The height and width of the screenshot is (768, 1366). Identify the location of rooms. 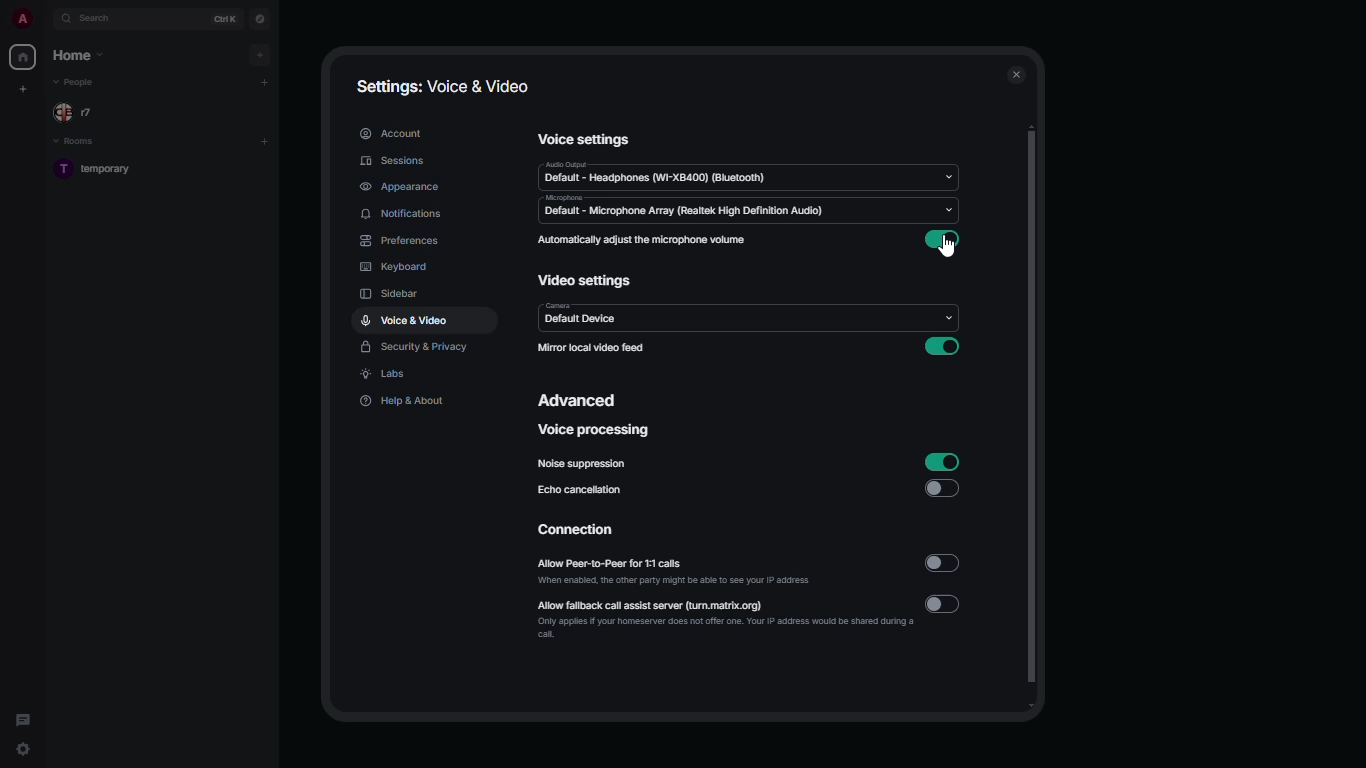
(78, 143).